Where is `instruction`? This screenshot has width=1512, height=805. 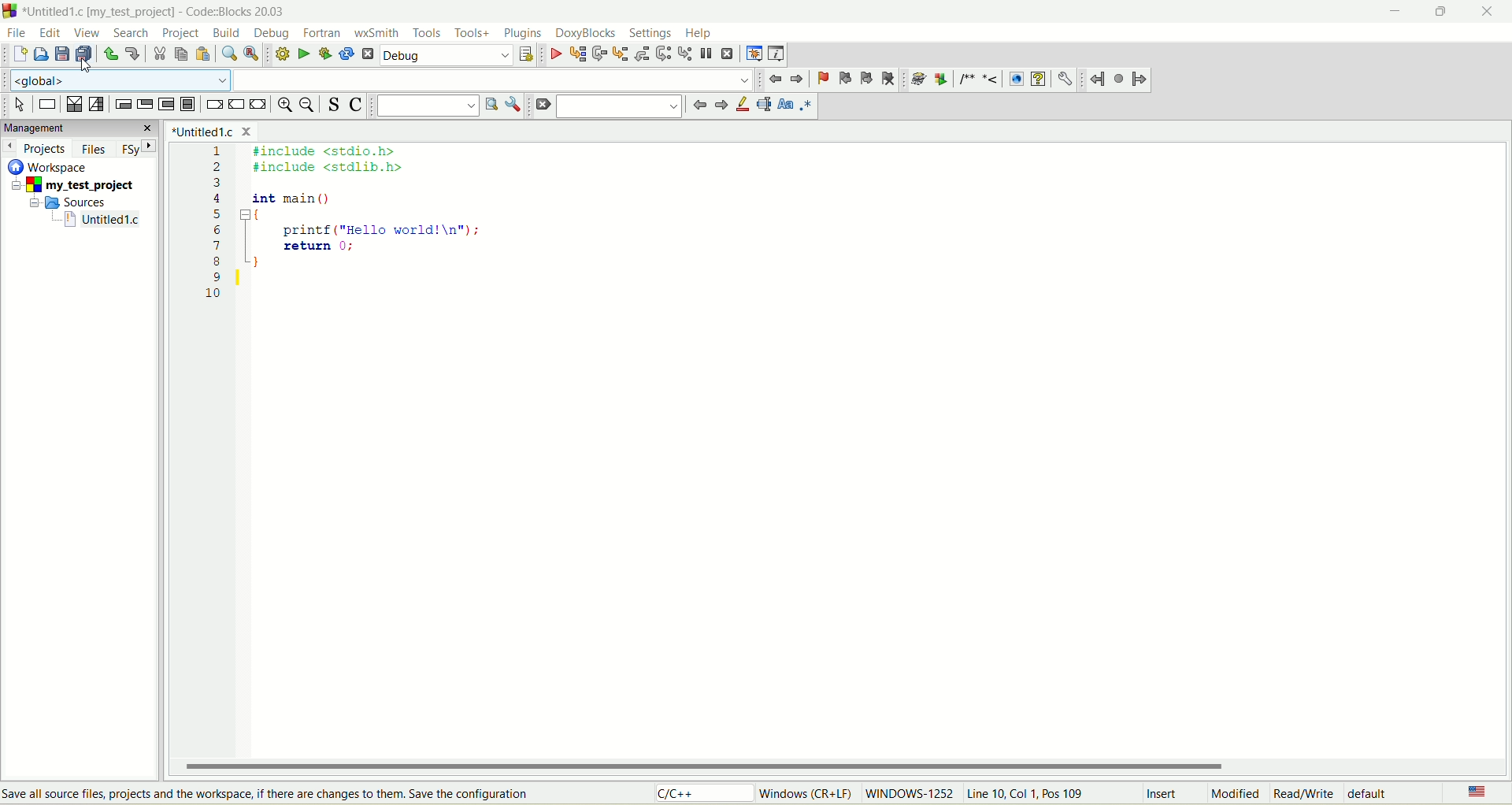
instruction is located at coordinates (46, 104).